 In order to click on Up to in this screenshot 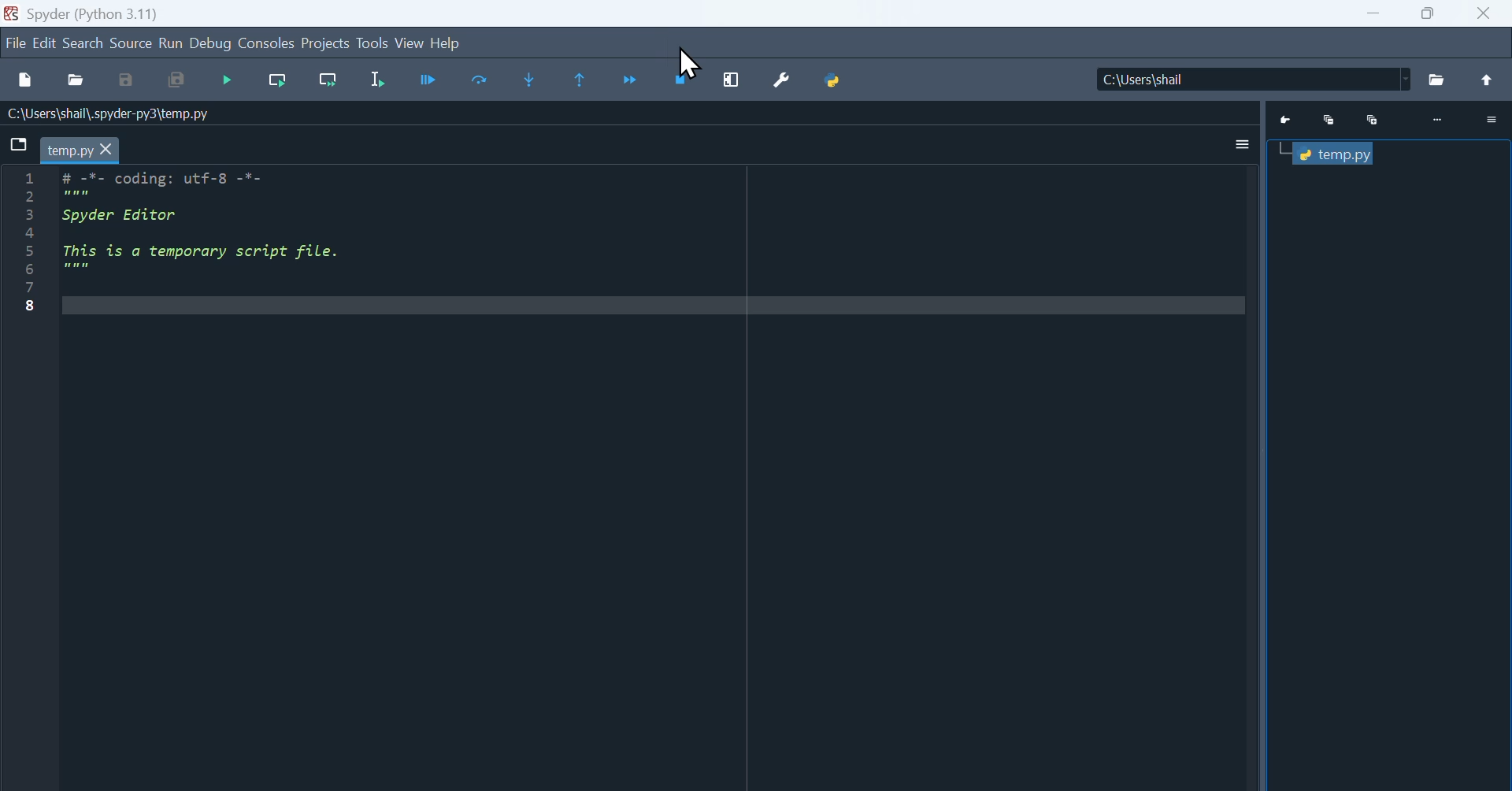, I will do `click(1491, 80)`.